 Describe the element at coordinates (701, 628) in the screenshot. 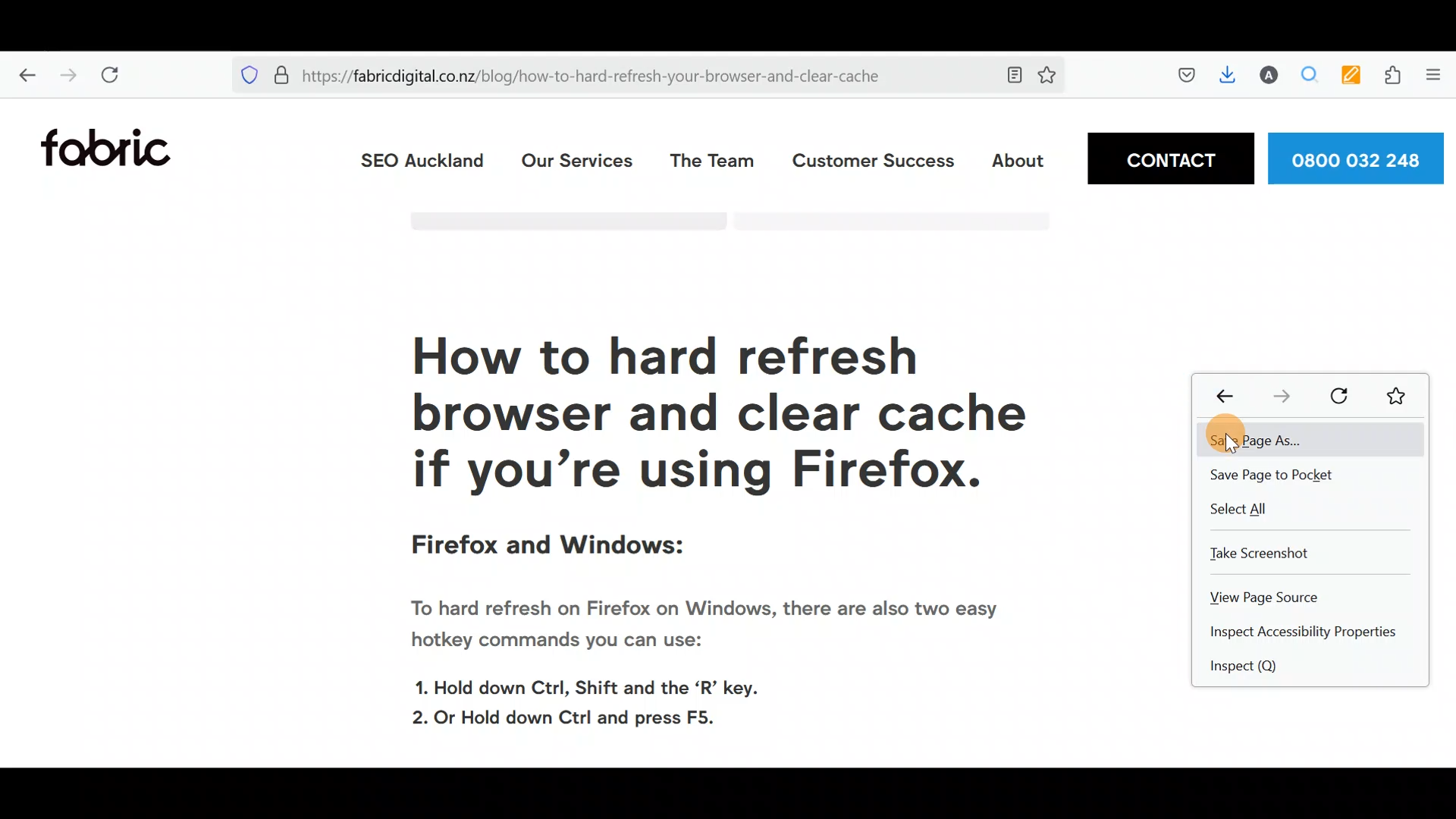

I see `To hard refresh on Firefox on Windows, there are also two easy
hotkey commands you can use:` at that location.